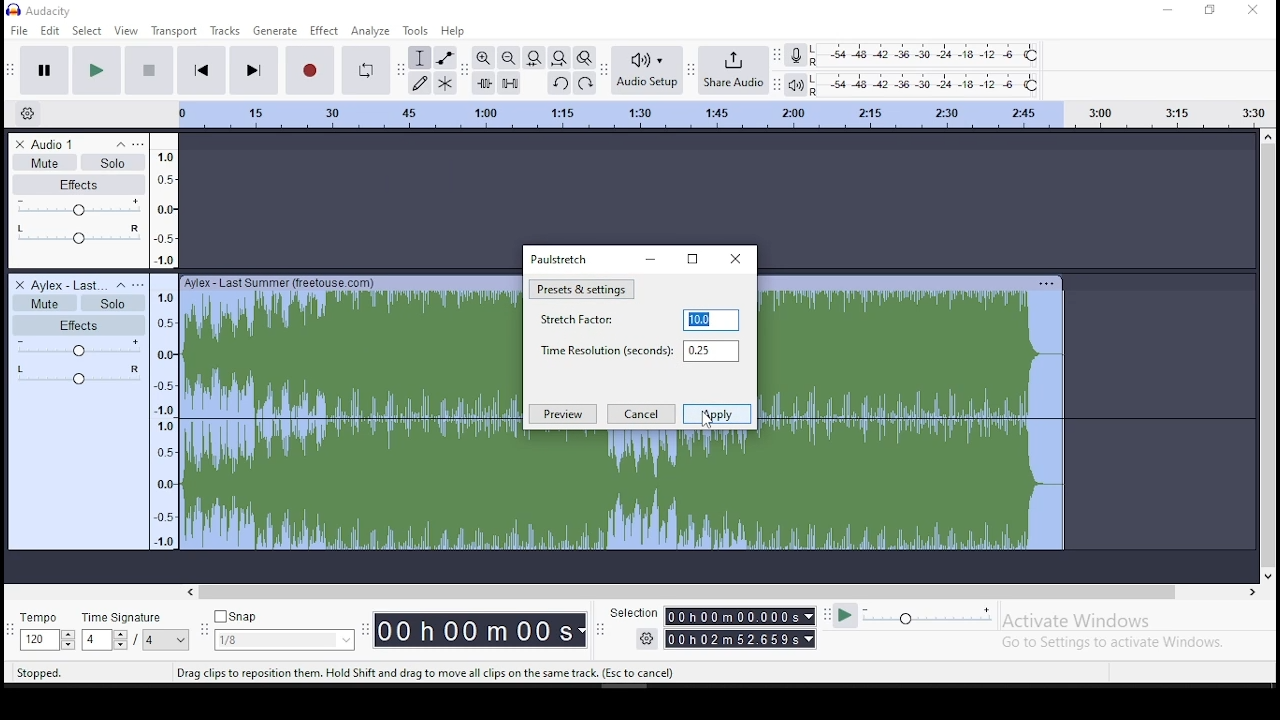 The image size is (1280, 720). Describe the element at coordinates (445, 83) in the screenshot. I see `multi tool` at that location.